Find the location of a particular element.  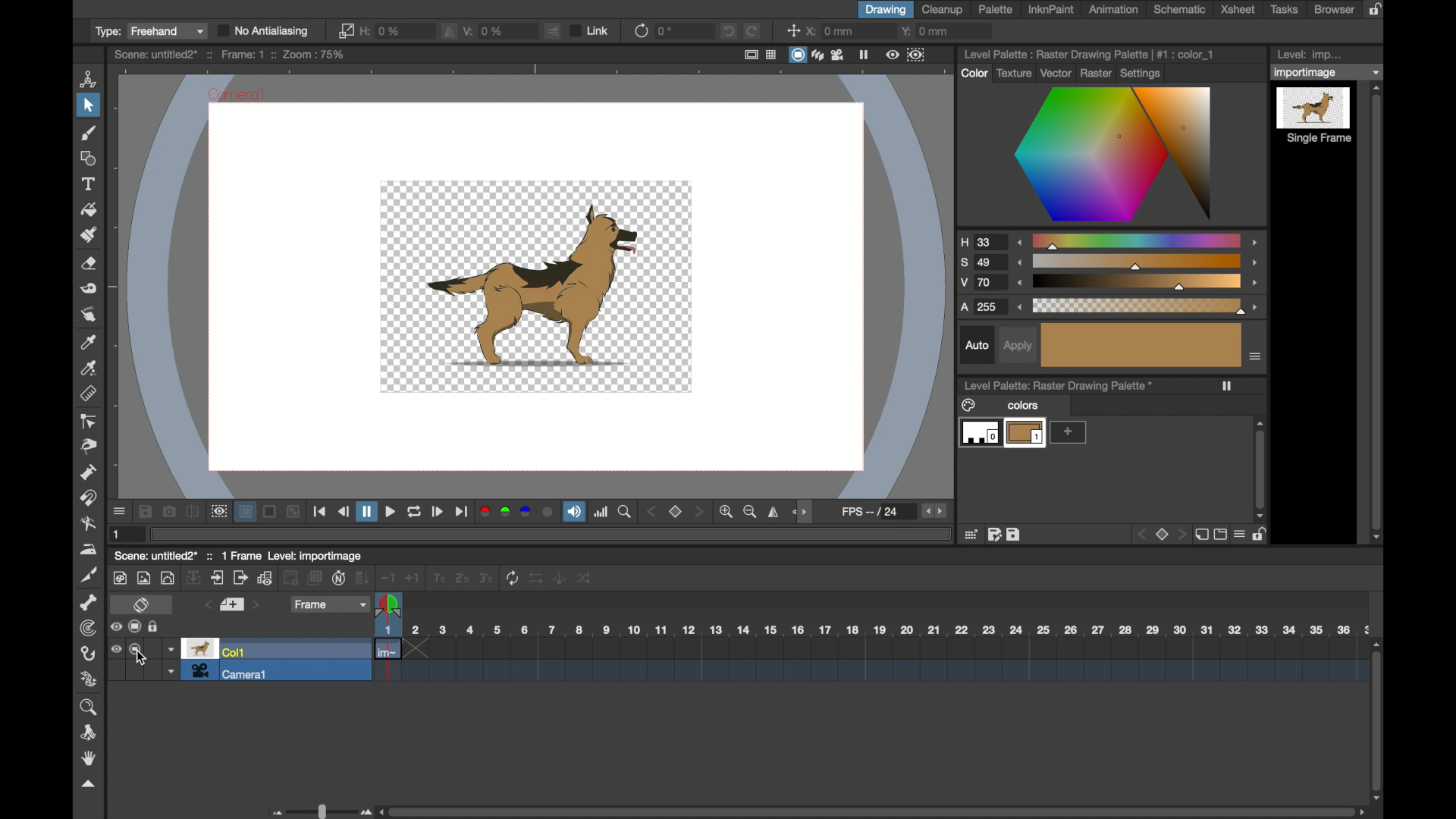

animate is located at coordinates (560, 577).